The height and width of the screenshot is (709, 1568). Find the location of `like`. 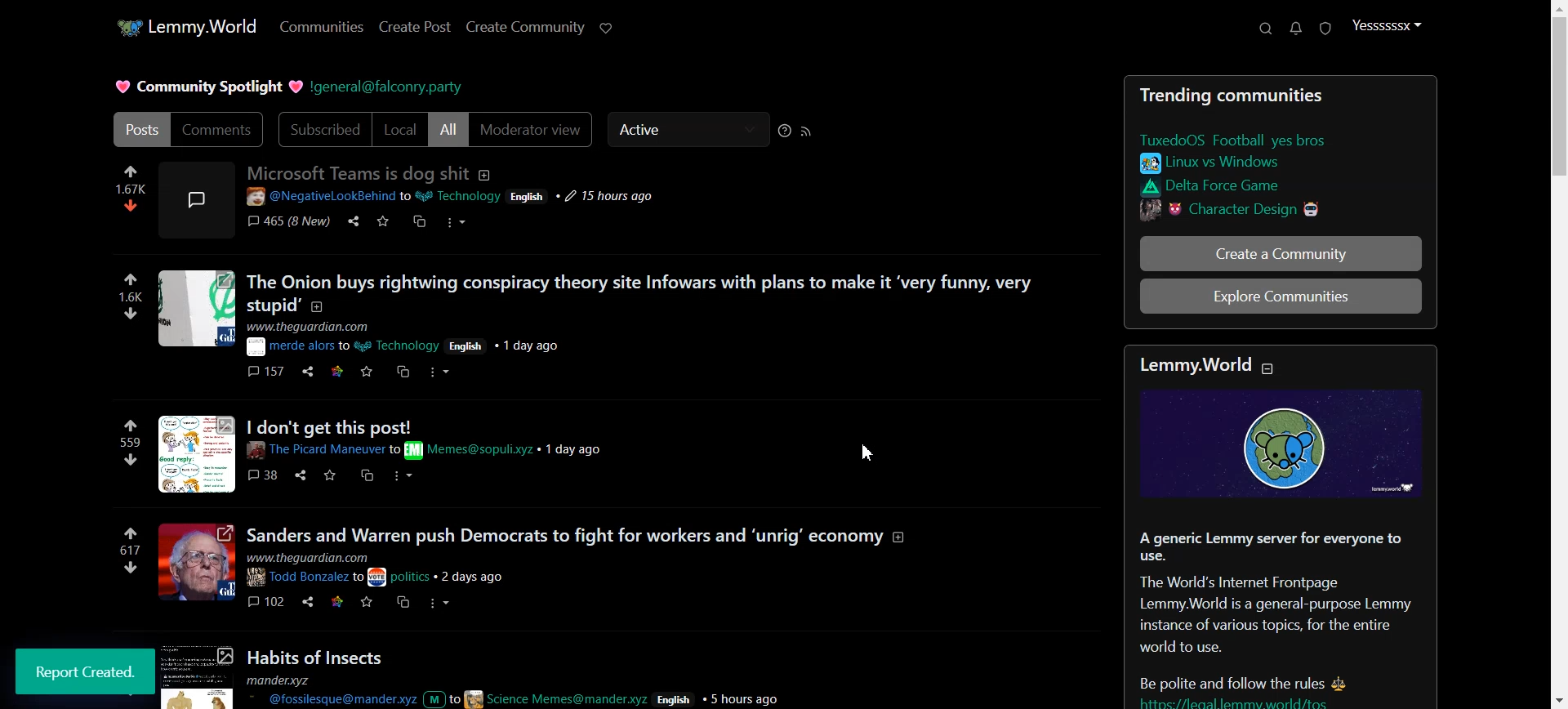

like is located at coordinates (131, 280).